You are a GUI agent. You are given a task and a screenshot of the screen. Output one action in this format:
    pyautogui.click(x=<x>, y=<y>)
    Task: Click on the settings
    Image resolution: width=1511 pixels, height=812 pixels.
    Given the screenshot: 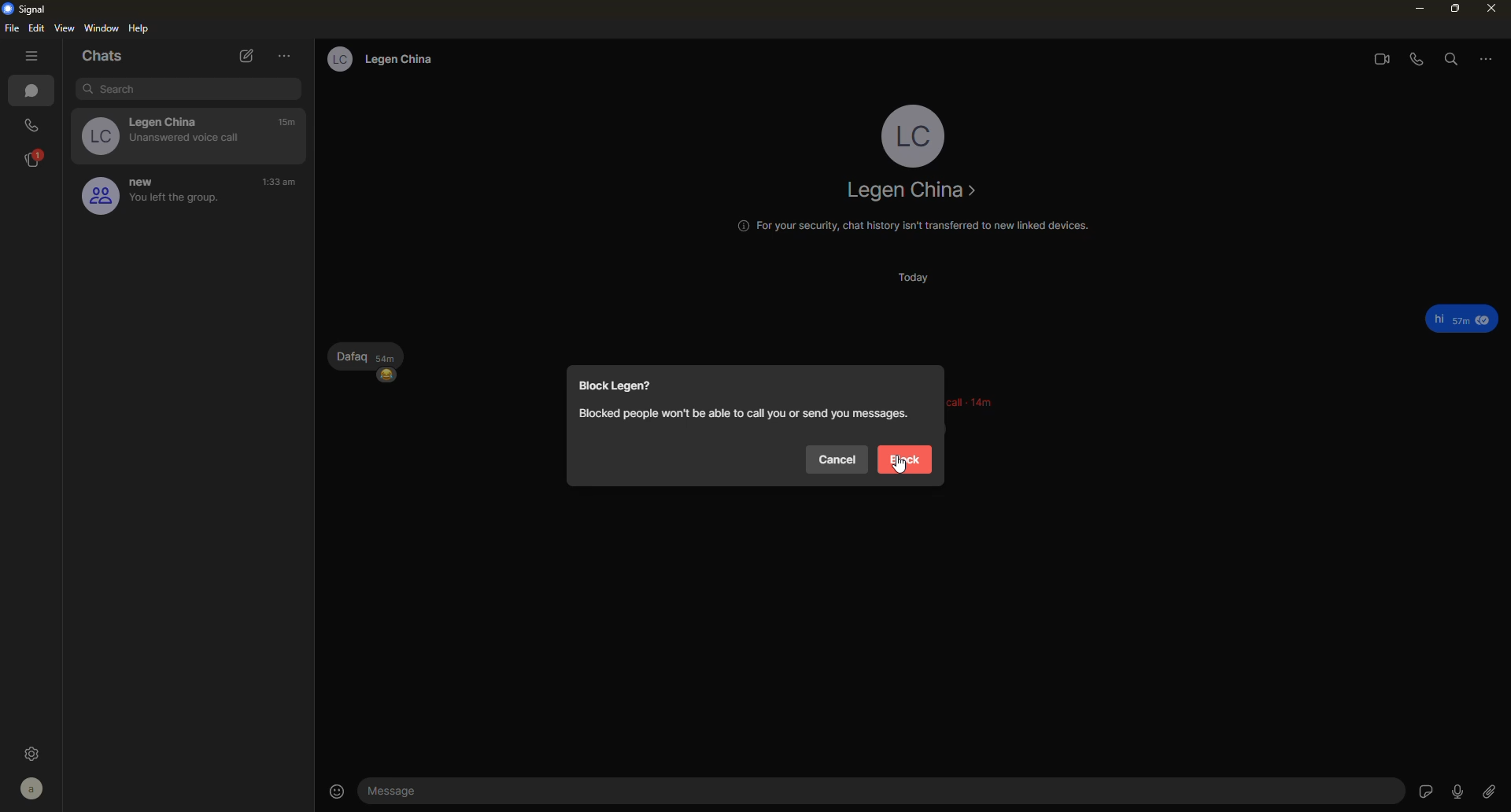 What is the action you would take?
    pyautogui.click(x=35, y=751)
    